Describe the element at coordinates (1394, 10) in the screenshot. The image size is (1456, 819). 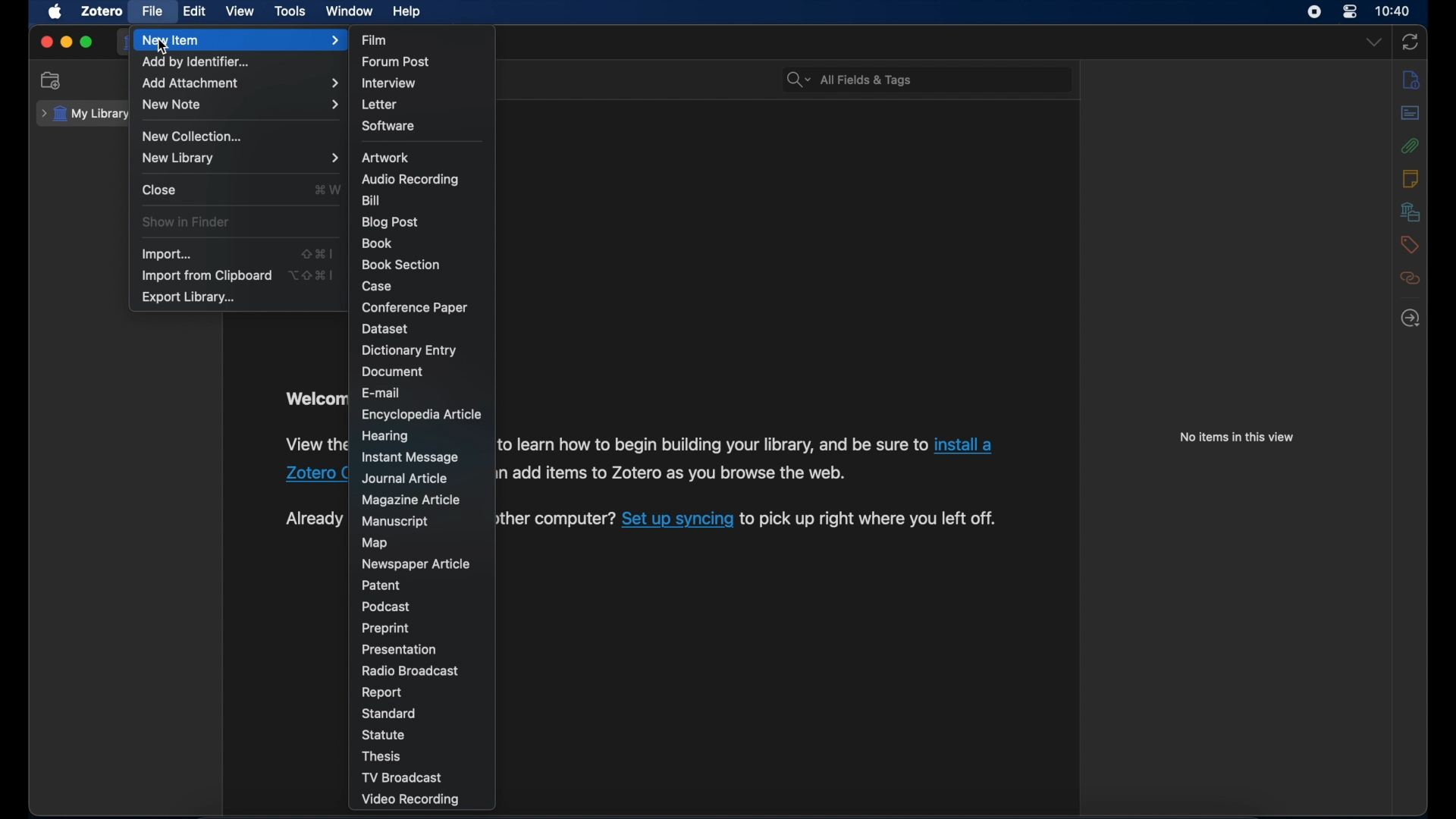
I see `time` at that location.